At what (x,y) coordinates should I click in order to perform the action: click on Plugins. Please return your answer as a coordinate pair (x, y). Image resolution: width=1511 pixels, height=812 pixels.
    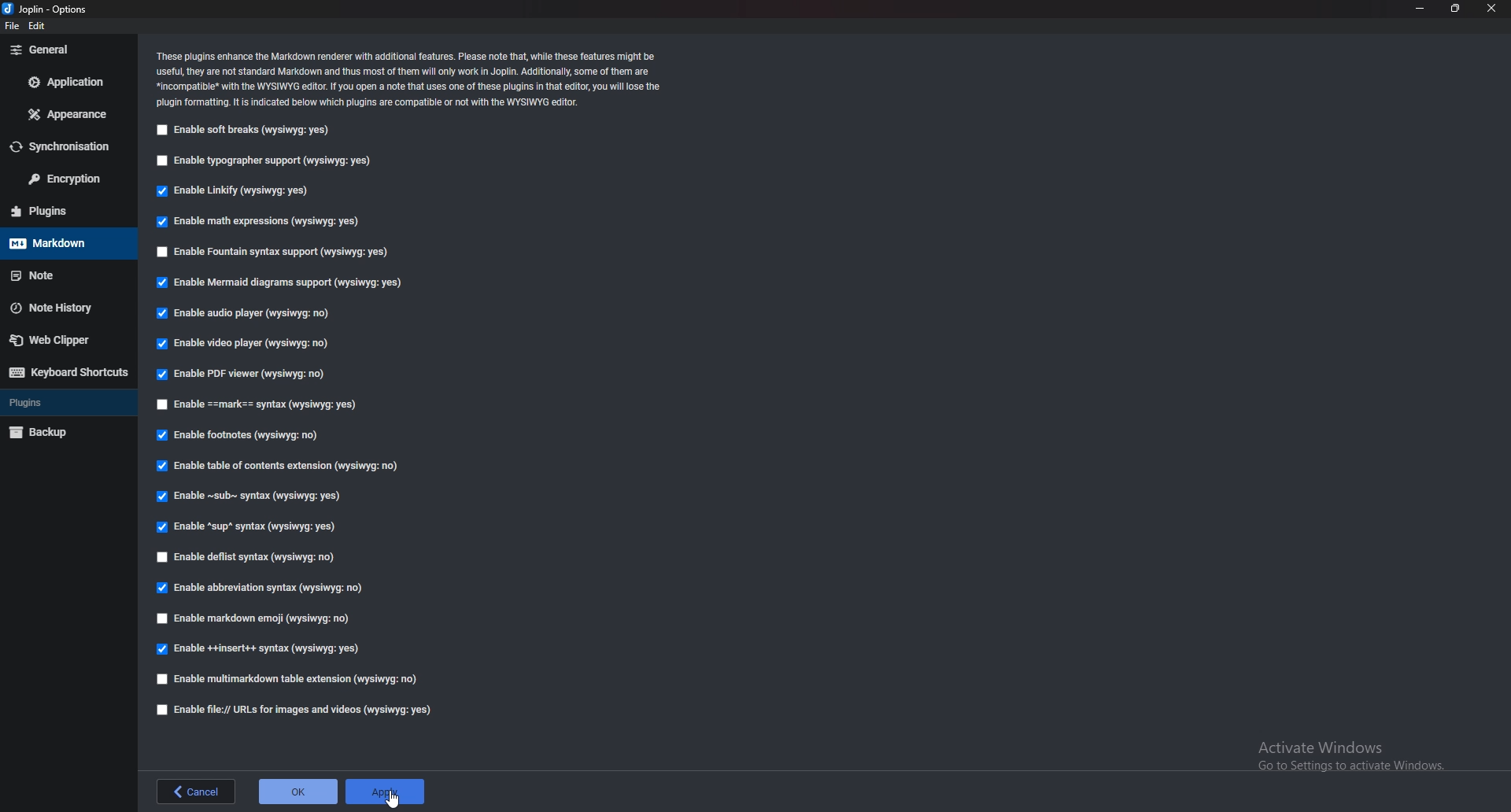
    Looking at the image, I should click on (63, 402).